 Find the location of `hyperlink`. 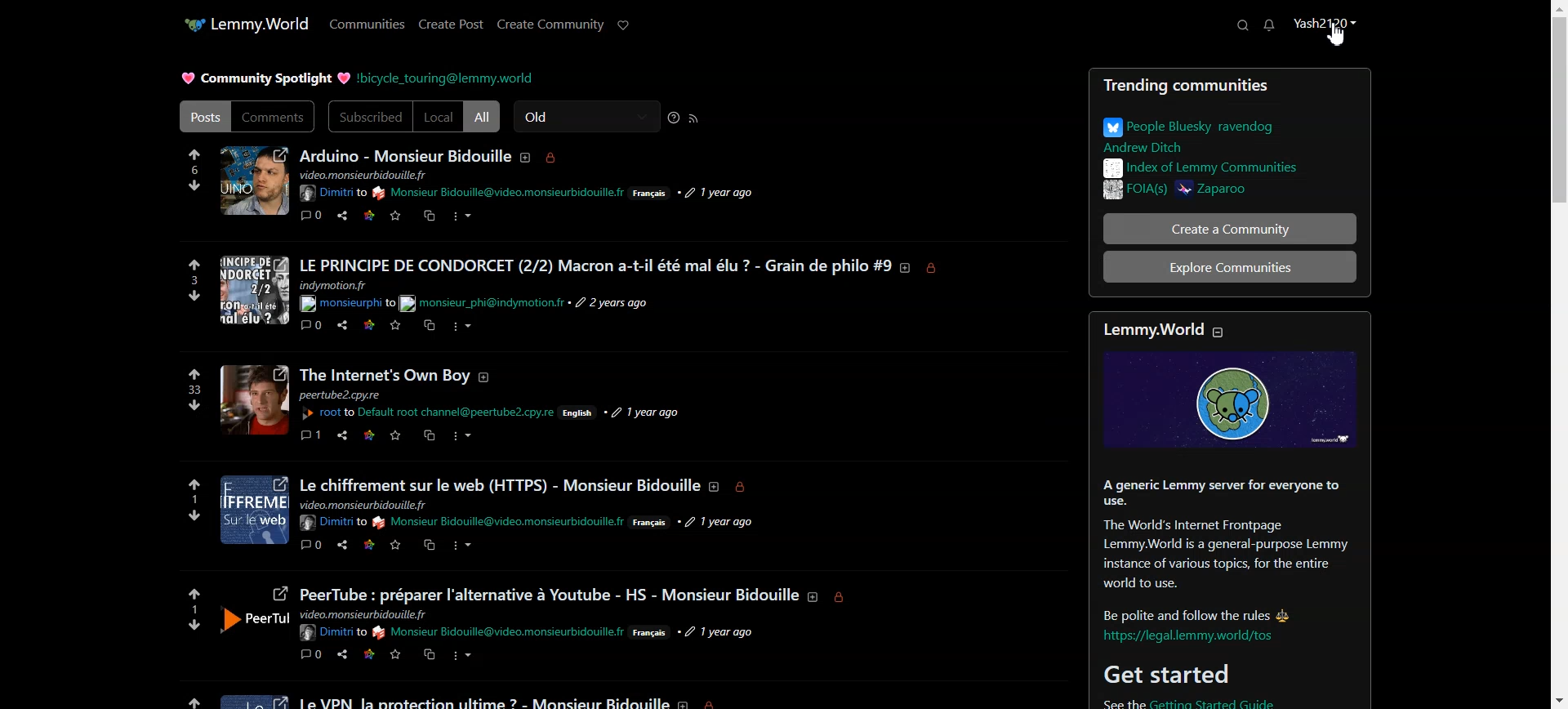

hyperlink is located at coordinates (1229, 700).